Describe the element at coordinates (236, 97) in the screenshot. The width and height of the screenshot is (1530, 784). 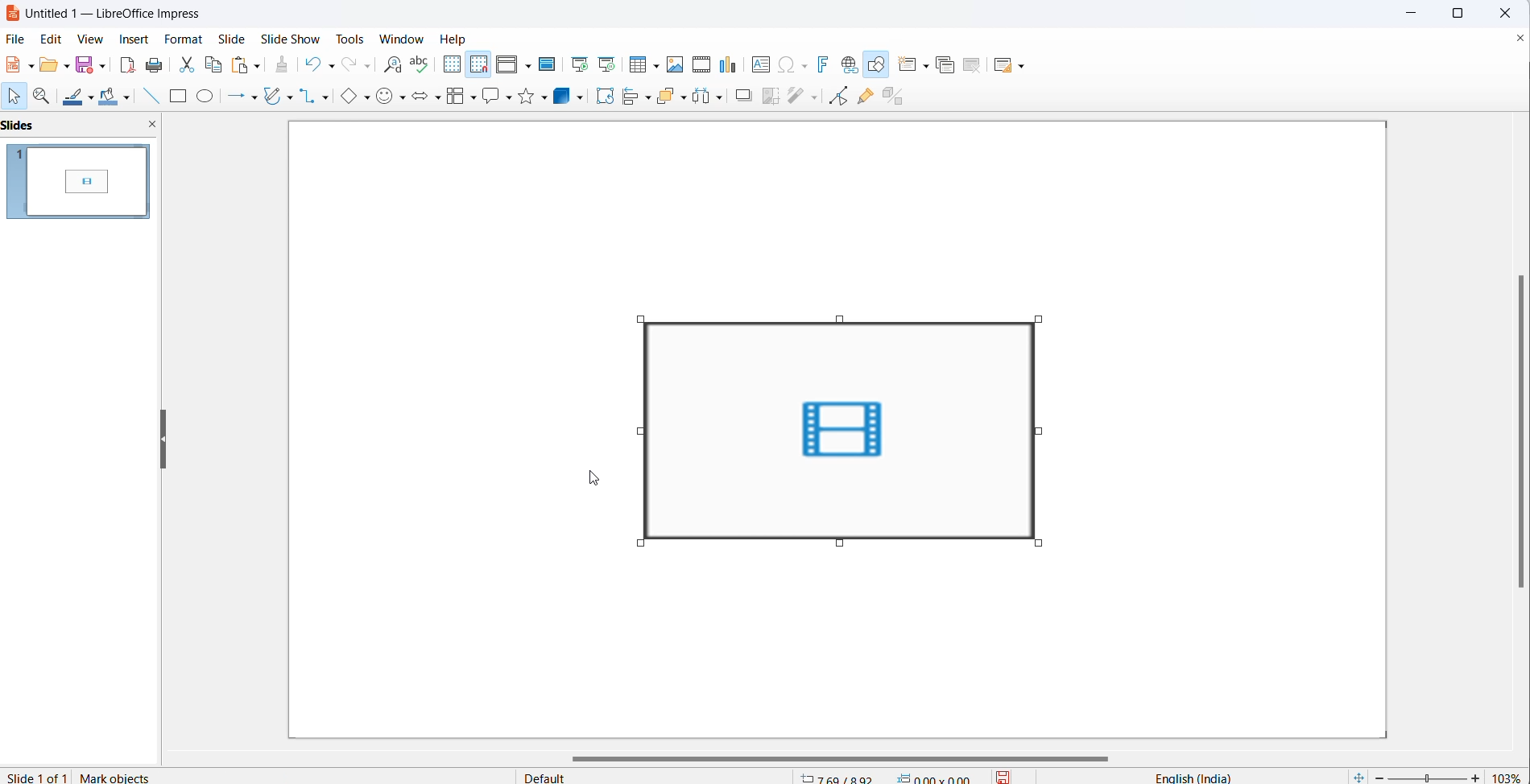
I see `lines and arrows` at that location.